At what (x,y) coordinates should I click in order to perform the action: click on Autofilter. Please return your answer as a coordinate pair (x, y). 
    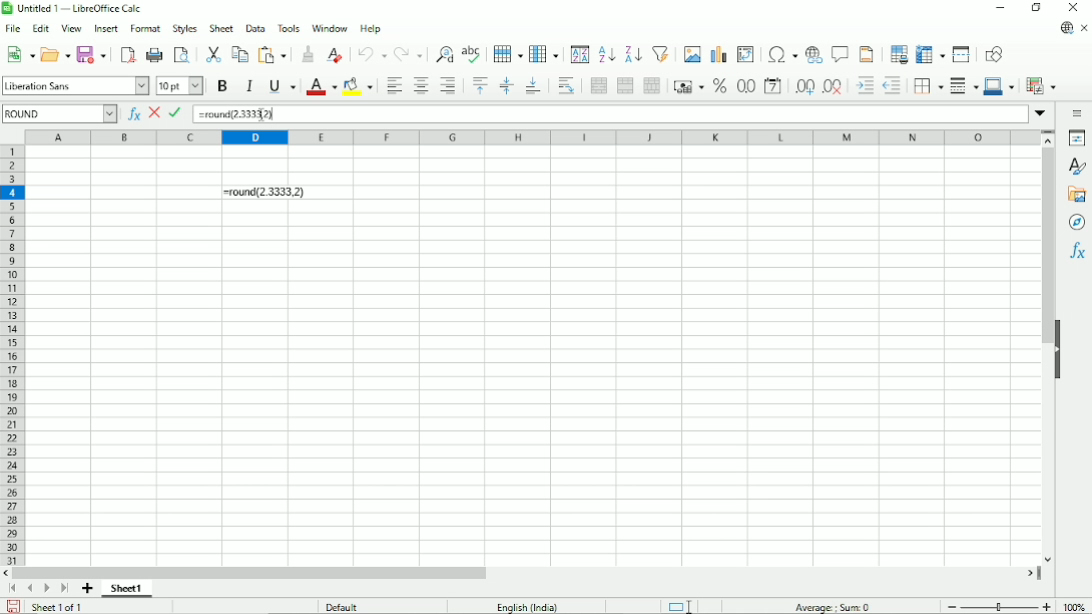
    Looking at the image, I should click on (661, 53).